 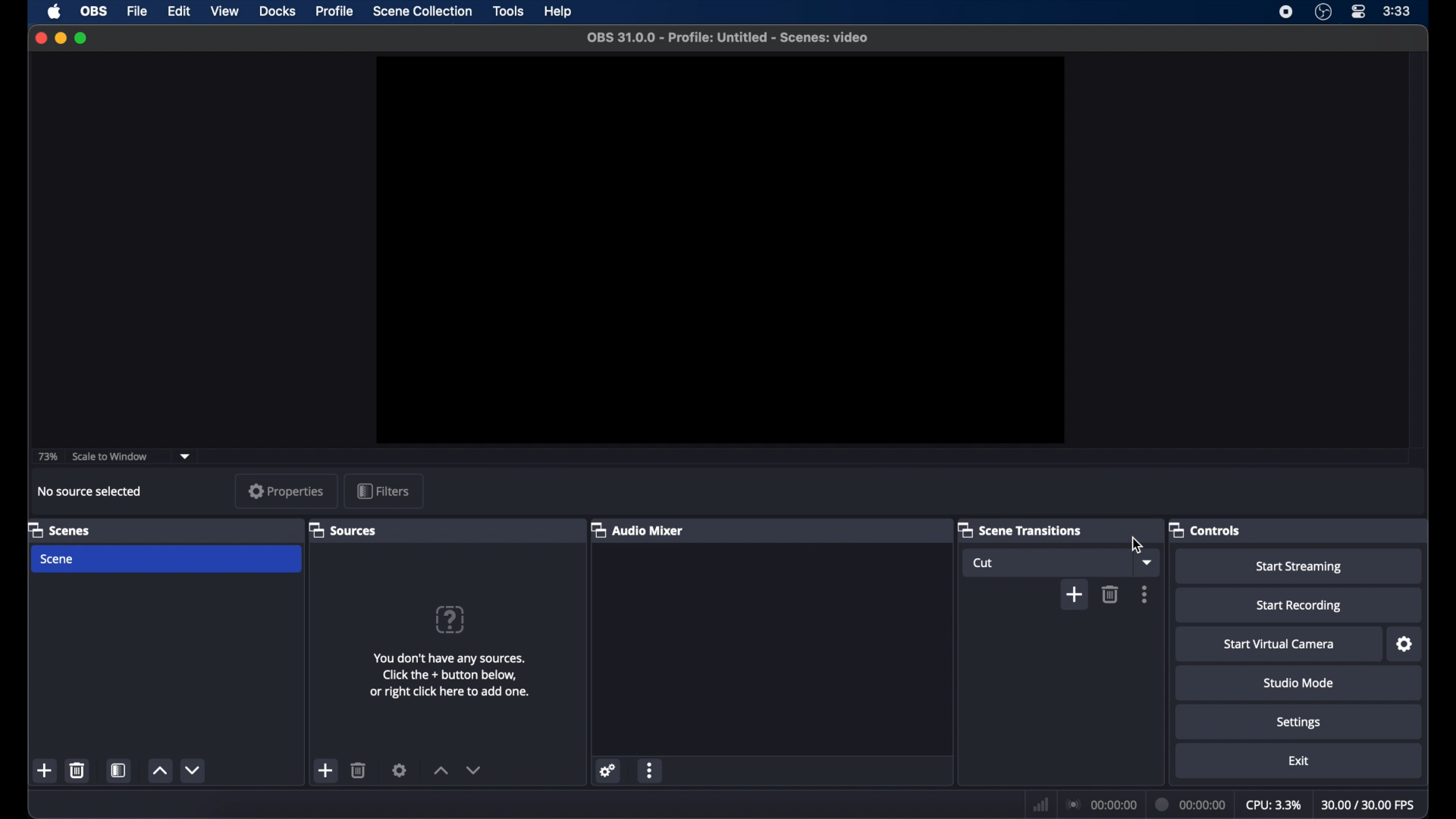 What do you see at coordinates (58, 529) in the screenshot?
I see `scenes` at bounding box center [58, 529].